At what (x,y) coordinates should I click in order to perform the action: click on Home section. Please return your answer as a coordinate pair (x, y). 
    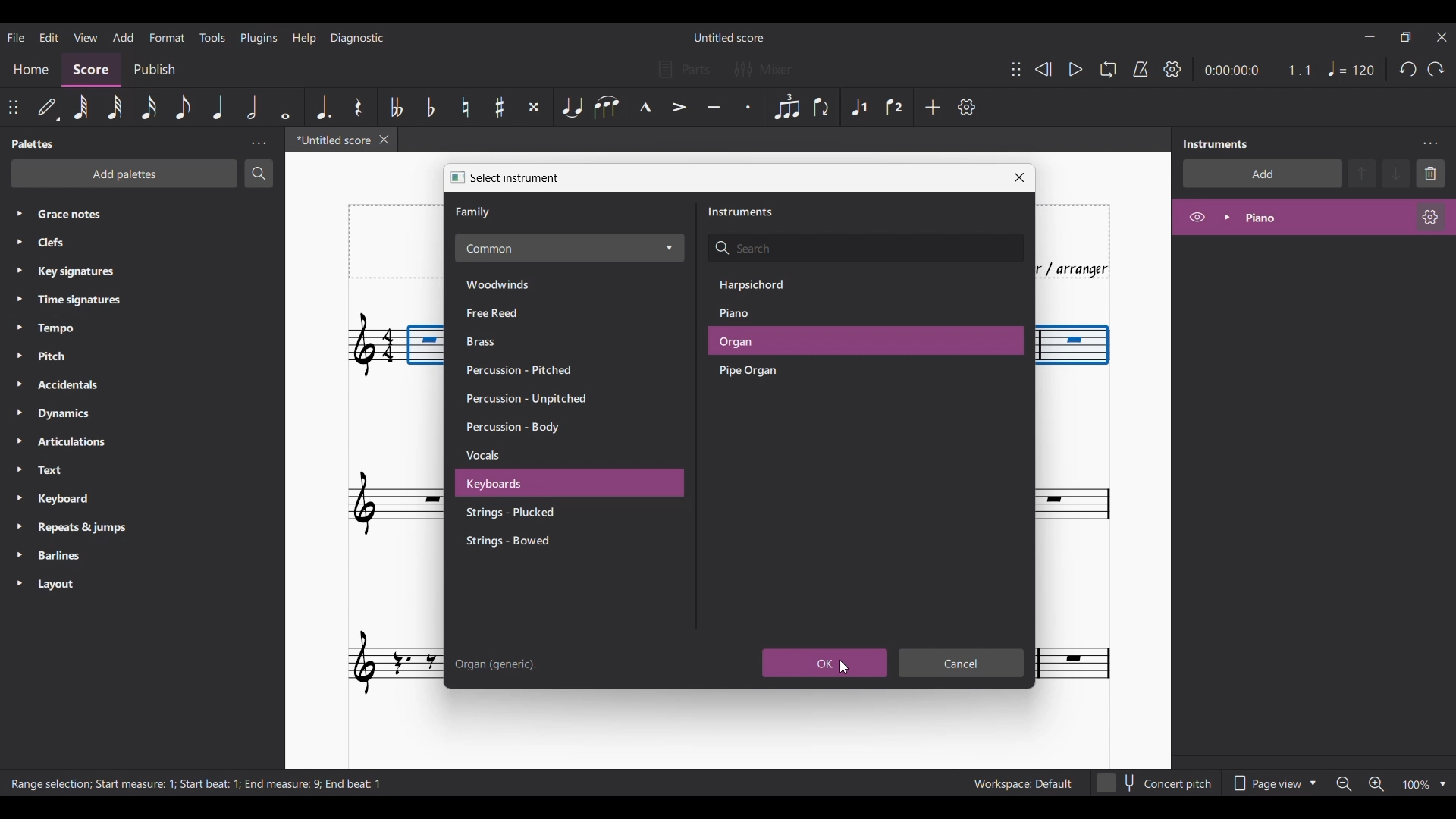
    Looking at the image, I should click on (32, 67).